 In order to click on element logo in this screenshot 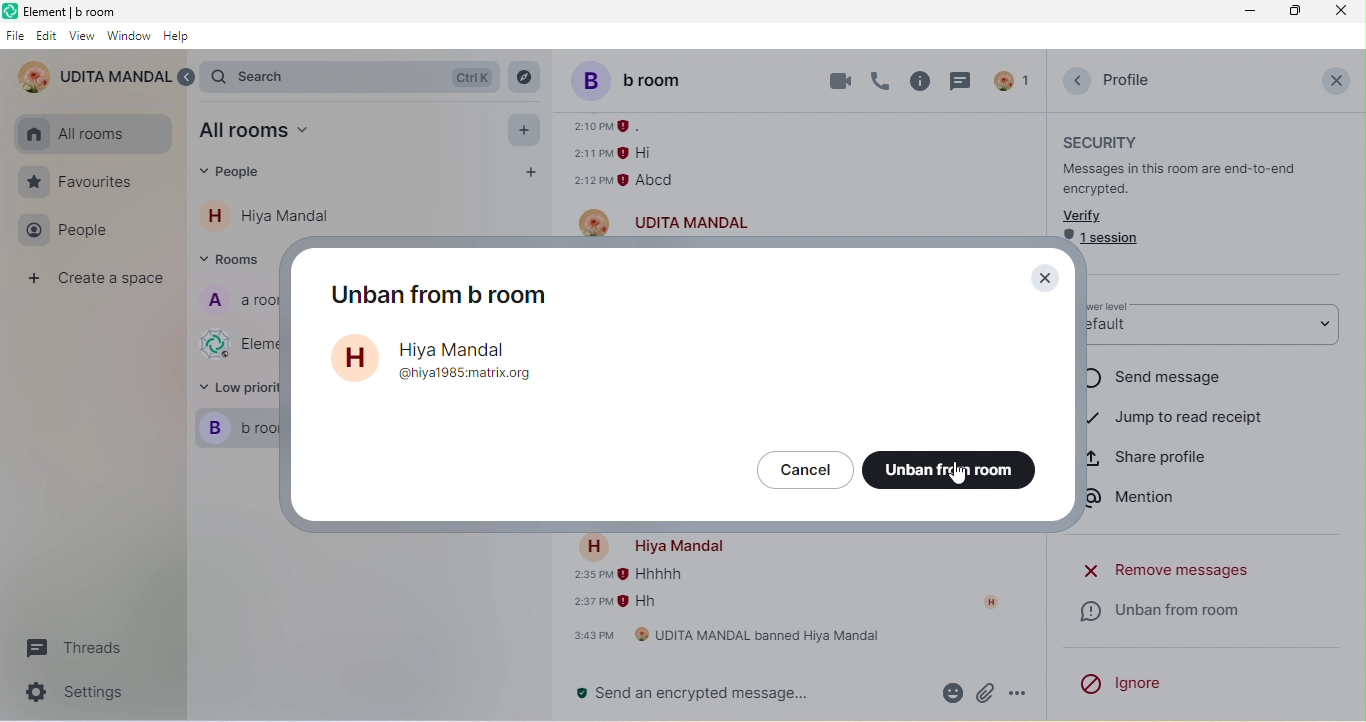, I will do `click(10, 12)`.